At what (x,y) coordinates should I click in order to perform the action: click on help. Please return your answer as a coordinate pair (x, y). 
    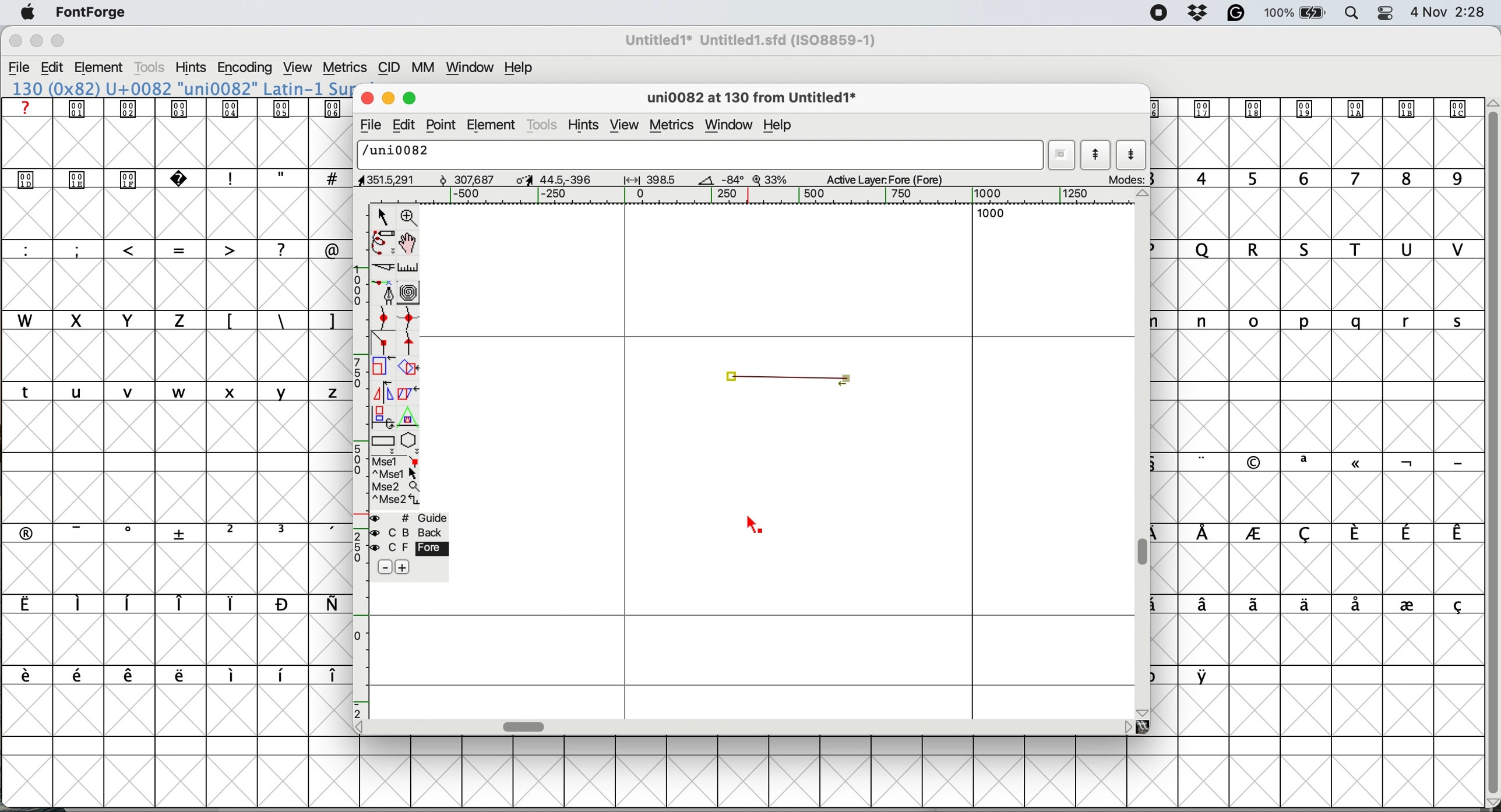
    Looking at the image, I should click on (781, 127).